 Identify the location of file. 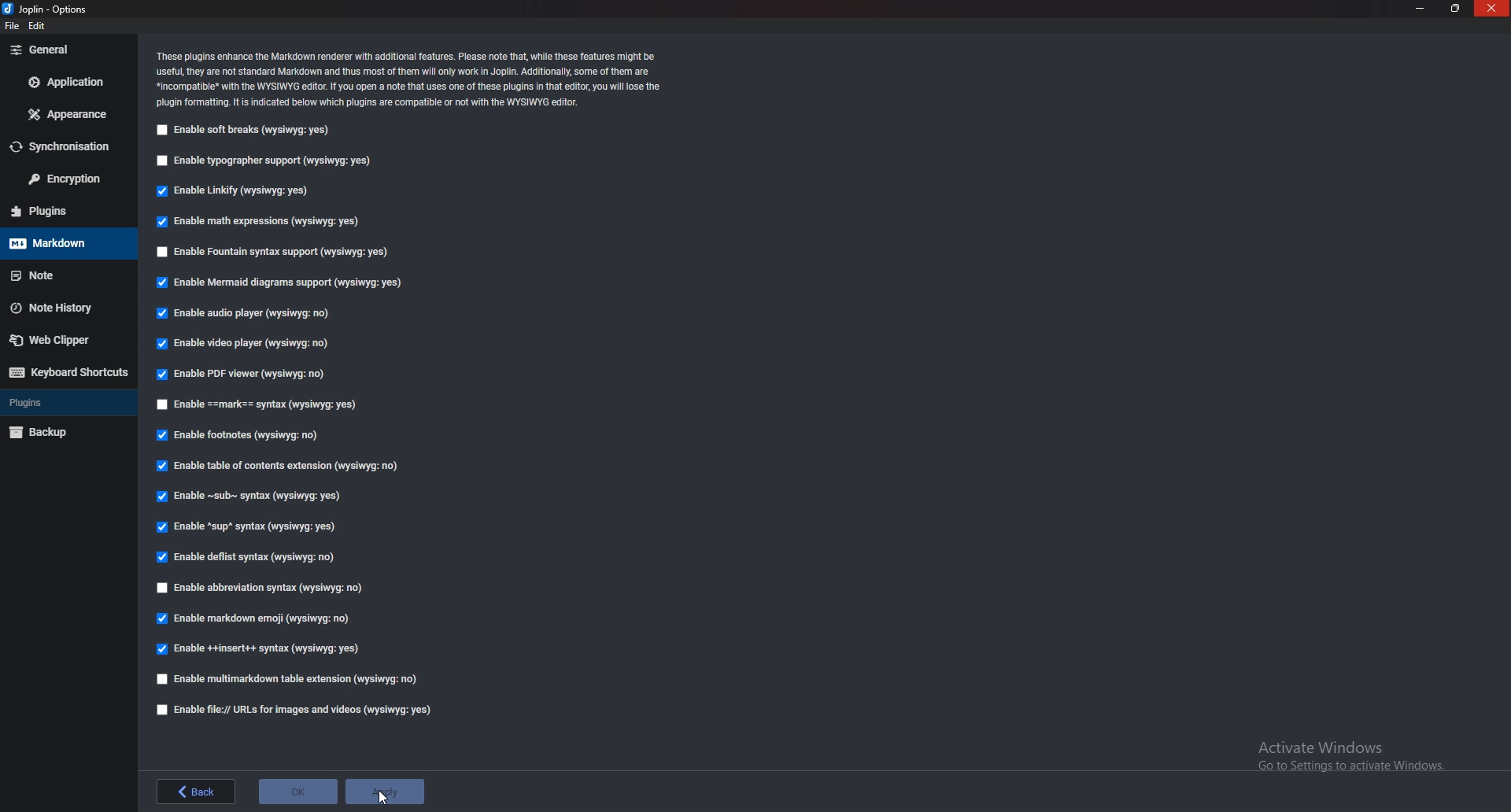
(15, 26).